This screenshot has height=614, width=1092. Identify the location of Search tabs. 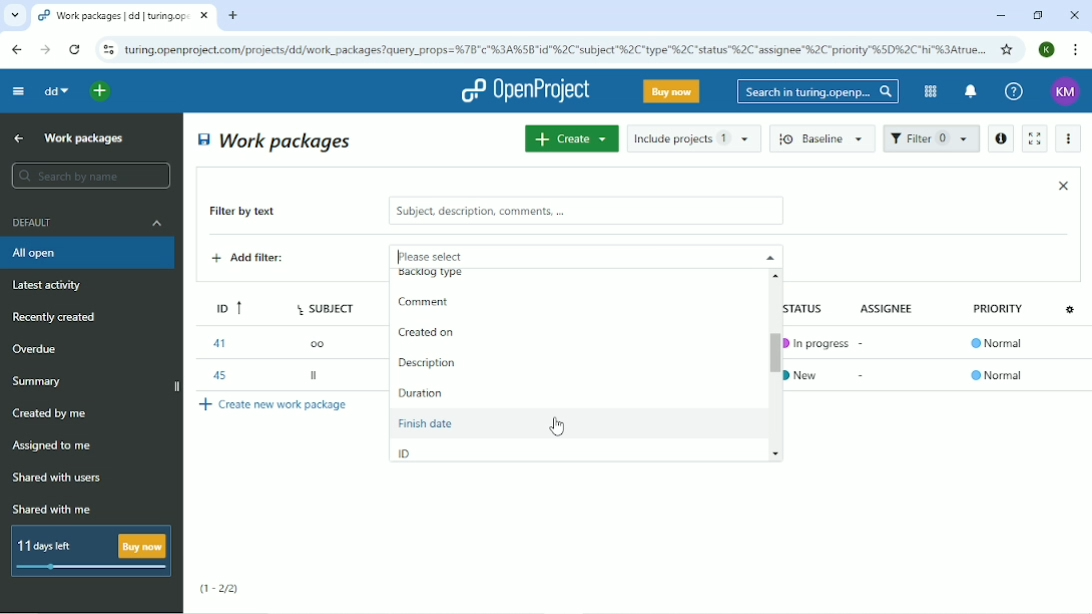
(15, 16).